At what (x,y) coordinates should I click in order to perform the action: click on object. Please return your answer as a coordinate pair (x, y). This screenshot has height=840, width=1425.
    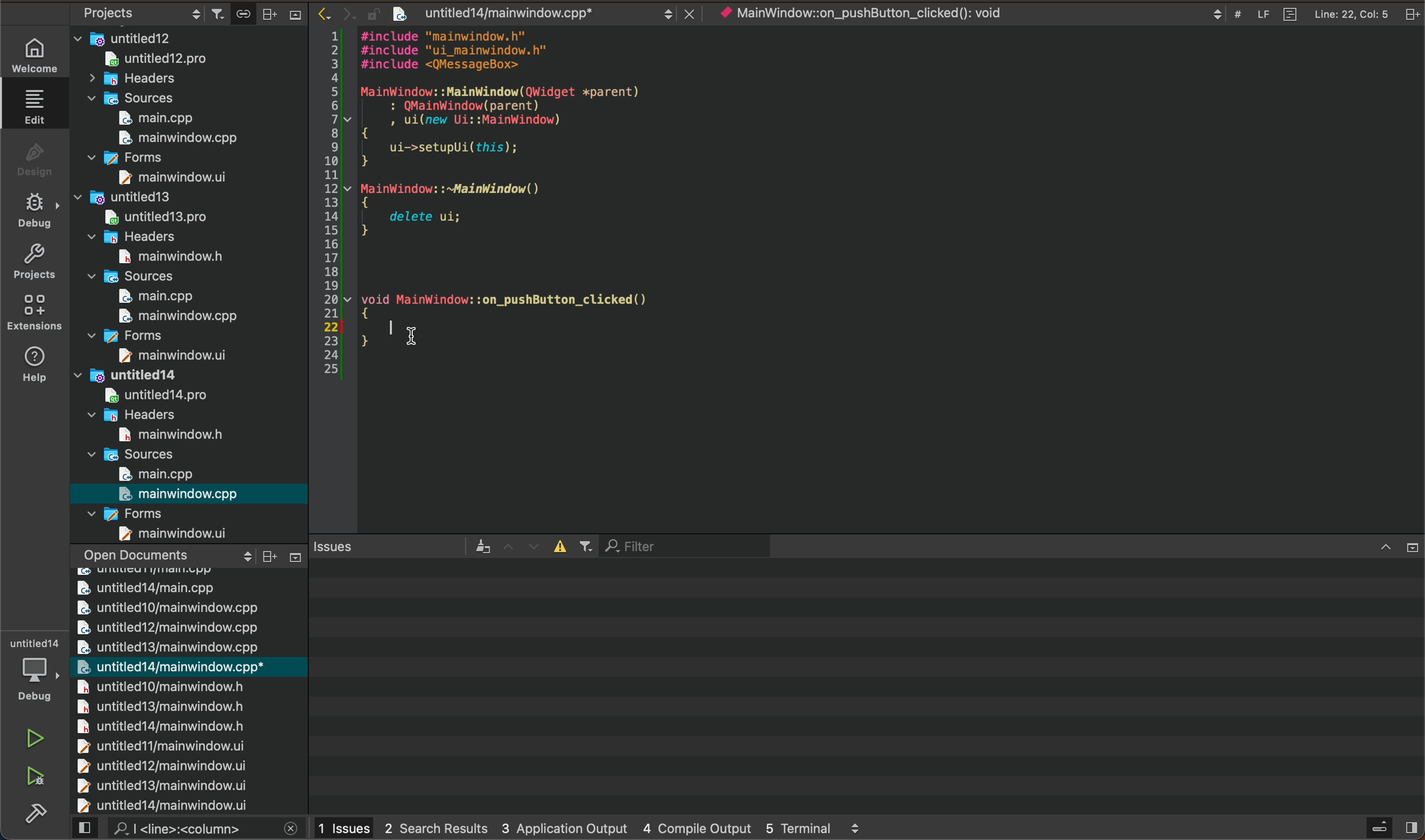
    Looking at the image, I should click on (879, 13).